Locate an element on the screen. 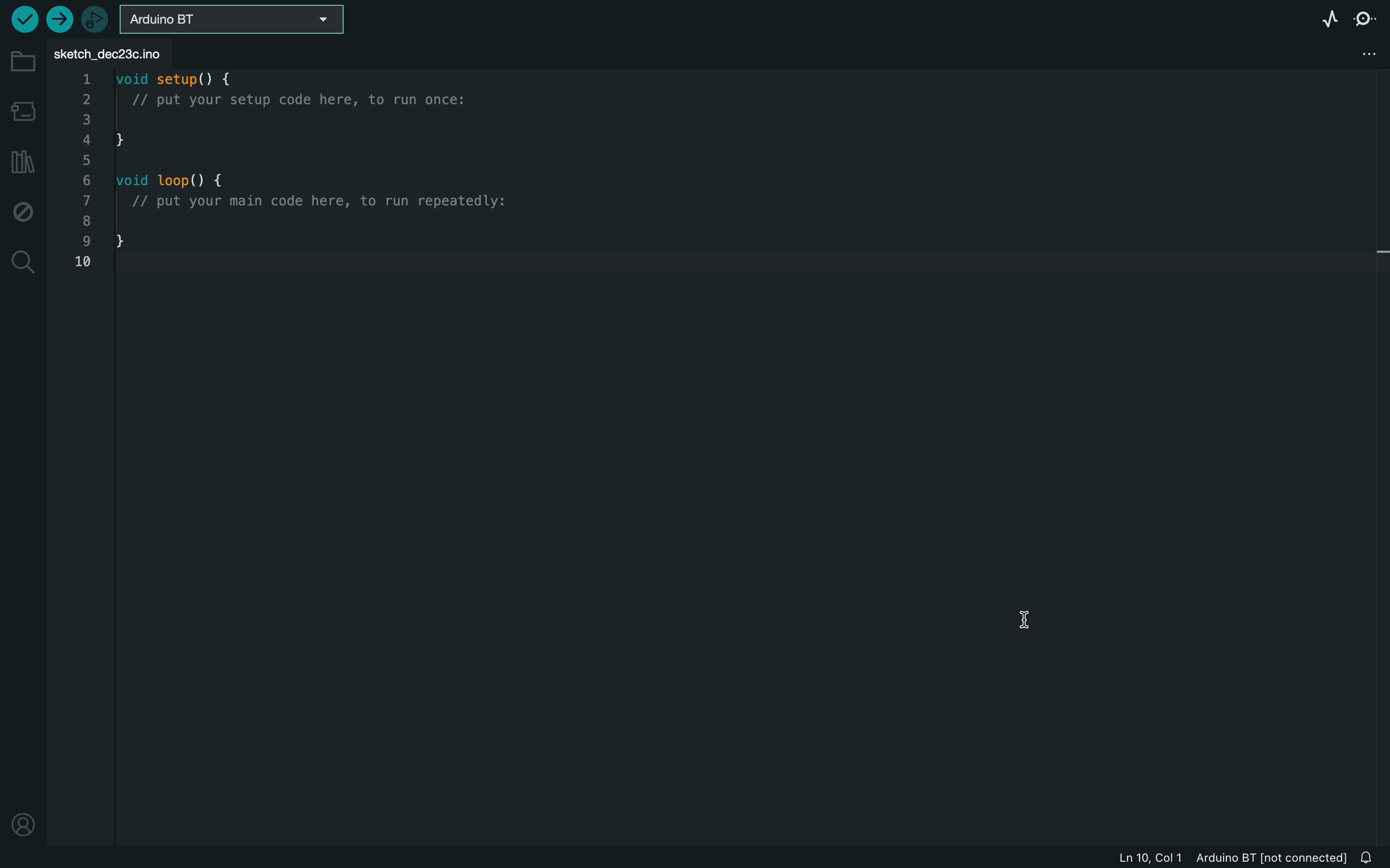 This screenshot has height=868, width=1390. file setting is located at coordinates (1364, 51).